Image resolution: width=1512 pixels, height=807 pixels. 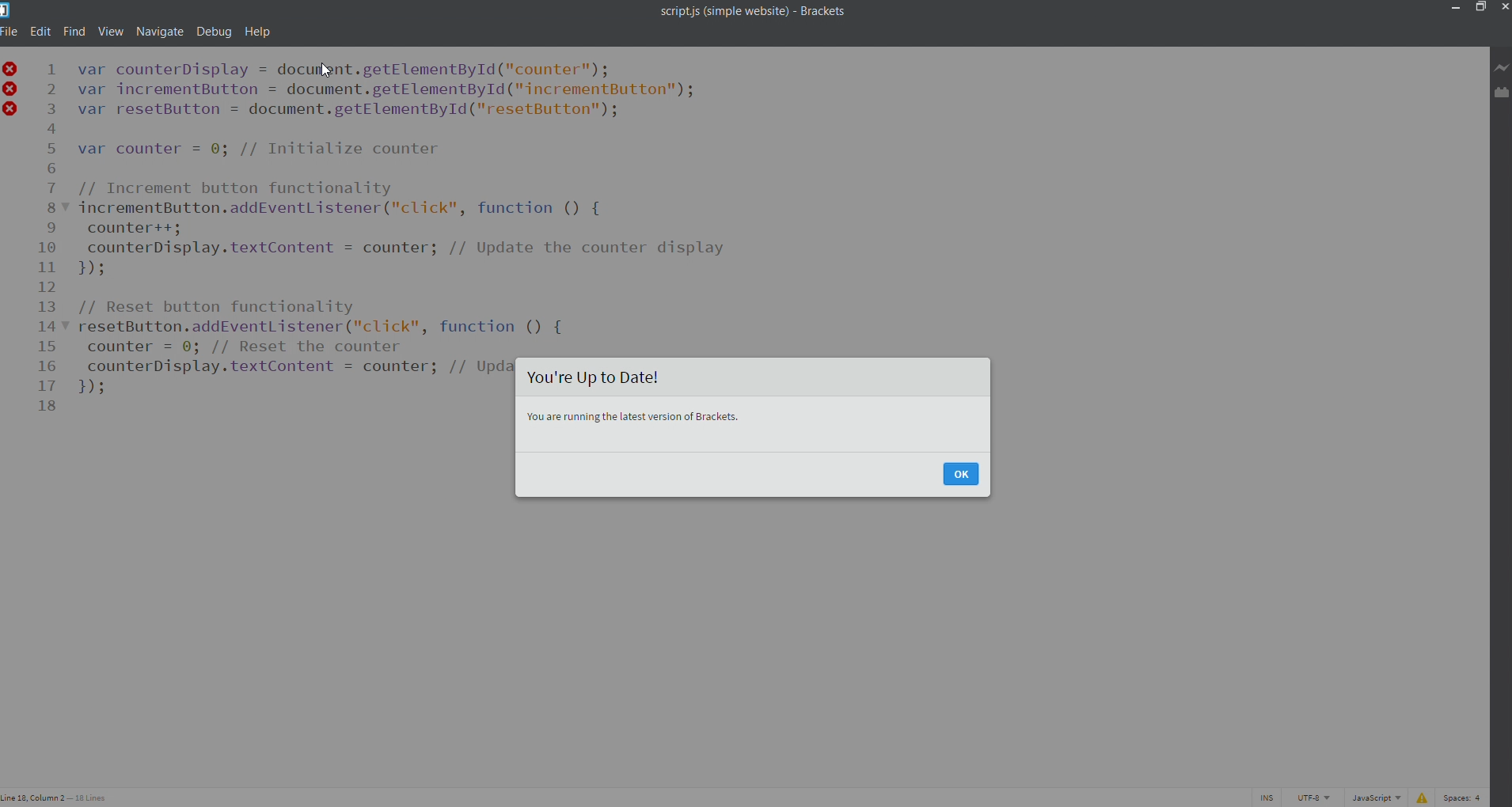 What do you see at coordinates (256, 31) in the screenshot?
I see `help` at bounding box center [256, 31].